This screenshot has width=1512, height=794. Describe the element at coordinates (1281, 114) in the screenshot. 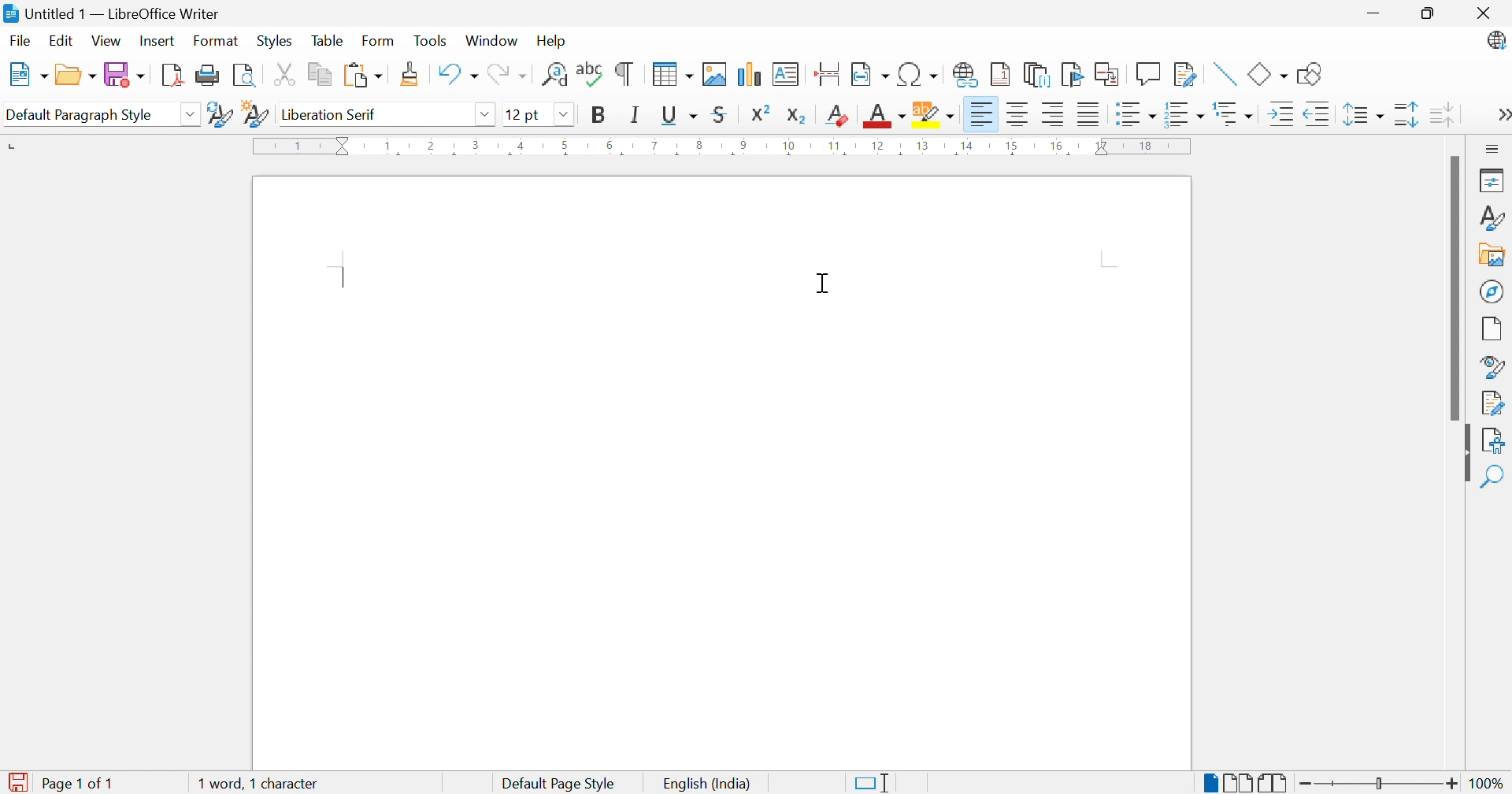

I see `Increase Indent` at that location.